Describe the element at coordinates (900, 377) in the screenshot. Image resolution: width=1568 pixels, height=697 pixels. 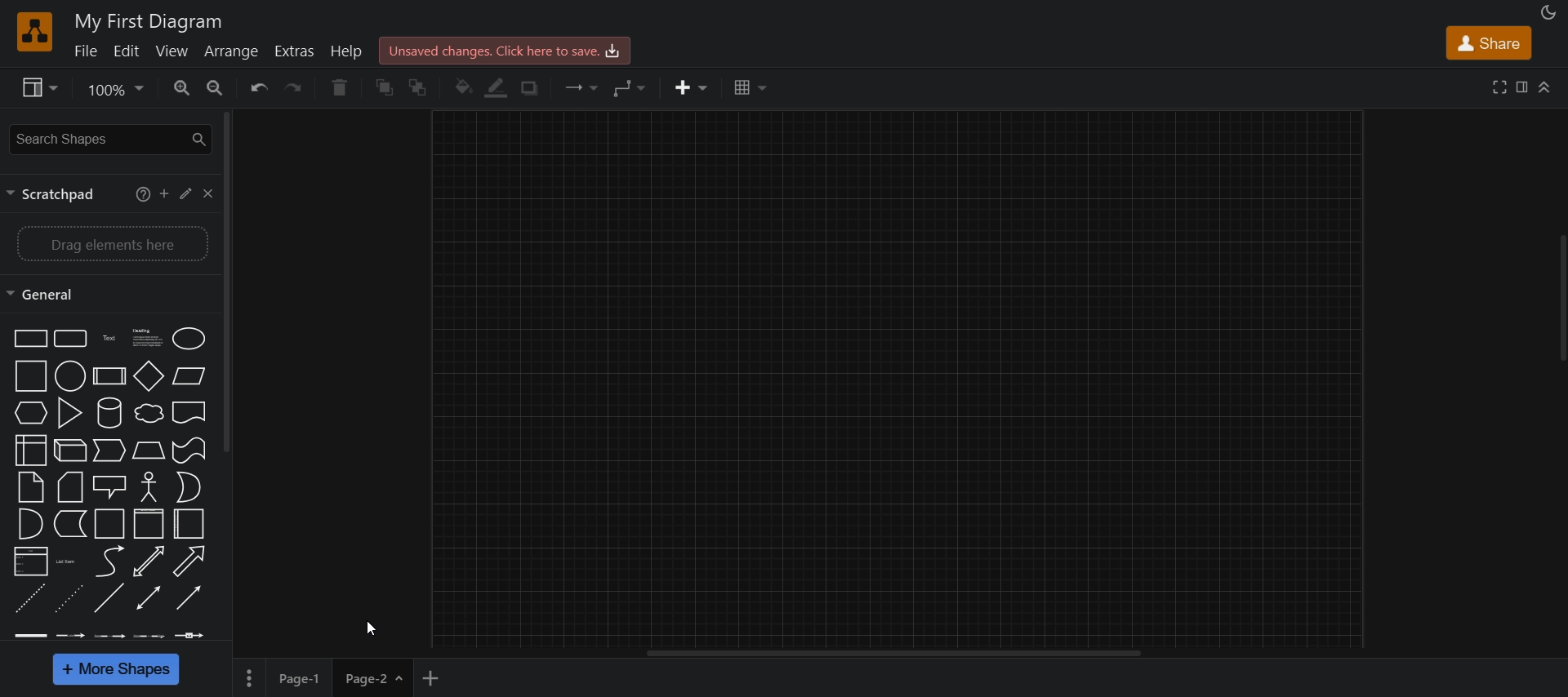
I see `canvas` at that location.